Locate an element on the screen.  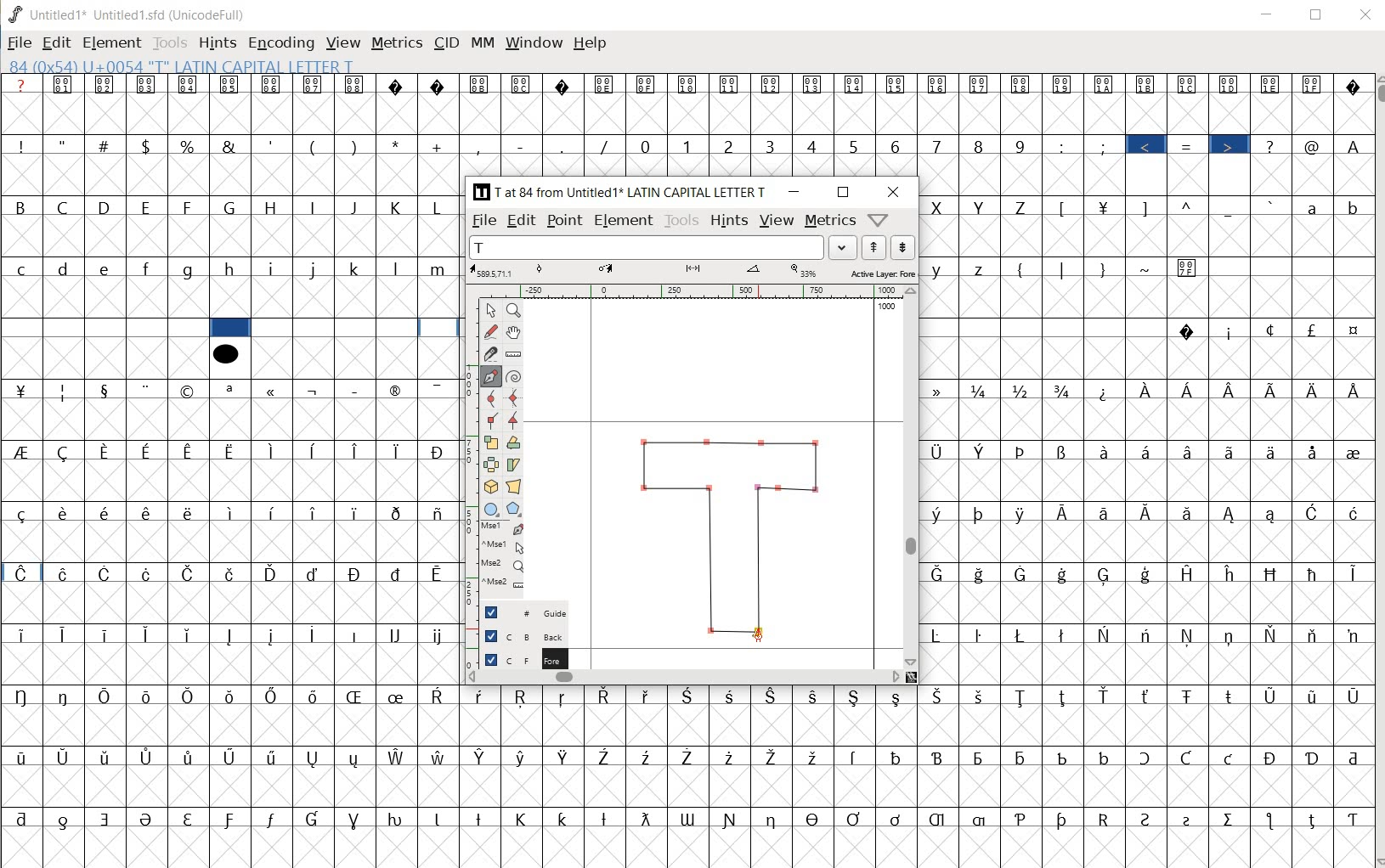
Symbol is located at coordinates (1314, 573).